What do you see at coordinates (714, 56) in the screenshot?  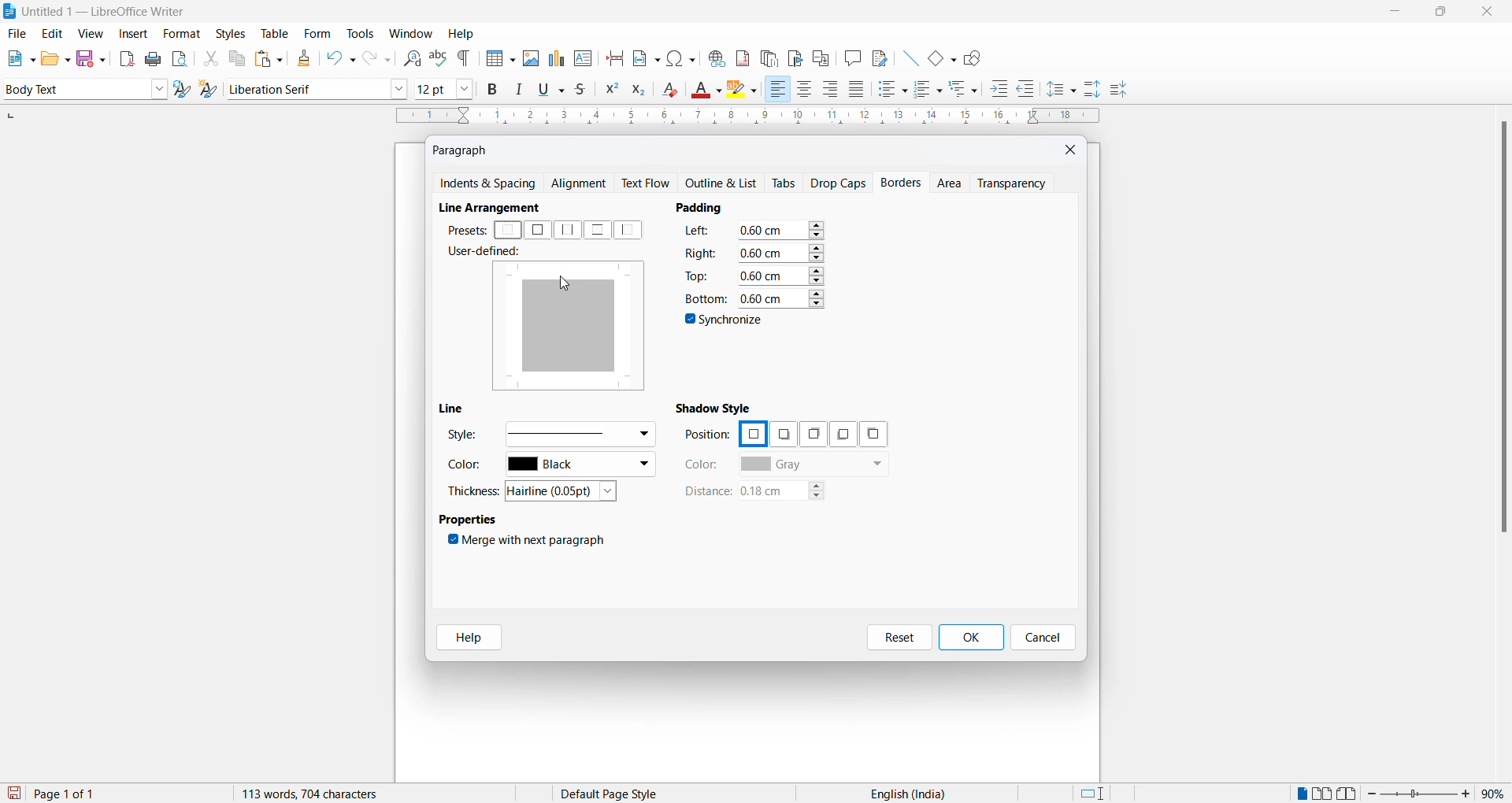 I see `insert hyperlink` at bounding box center [714, 56].